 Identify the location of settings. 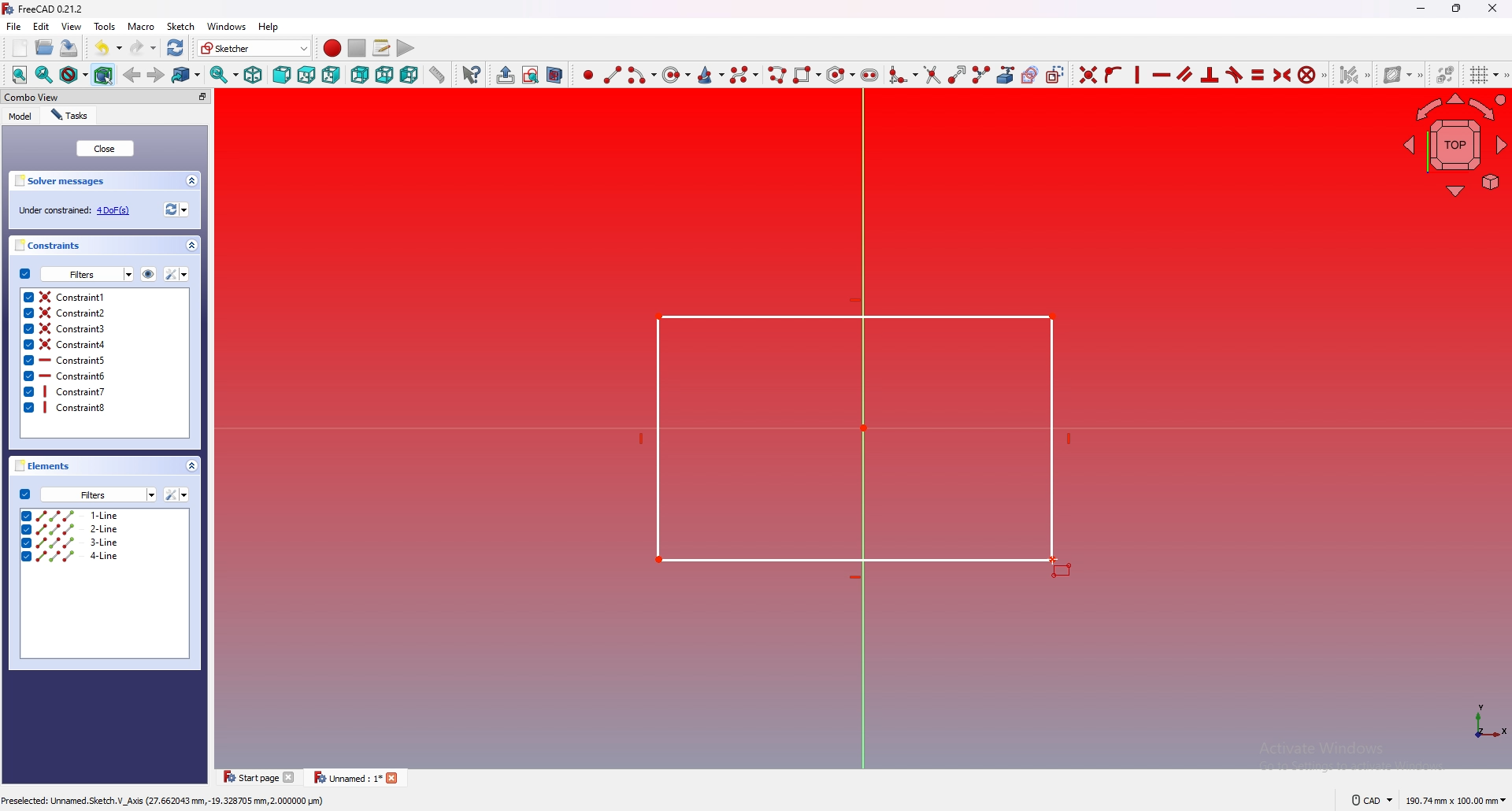
(175, 494).